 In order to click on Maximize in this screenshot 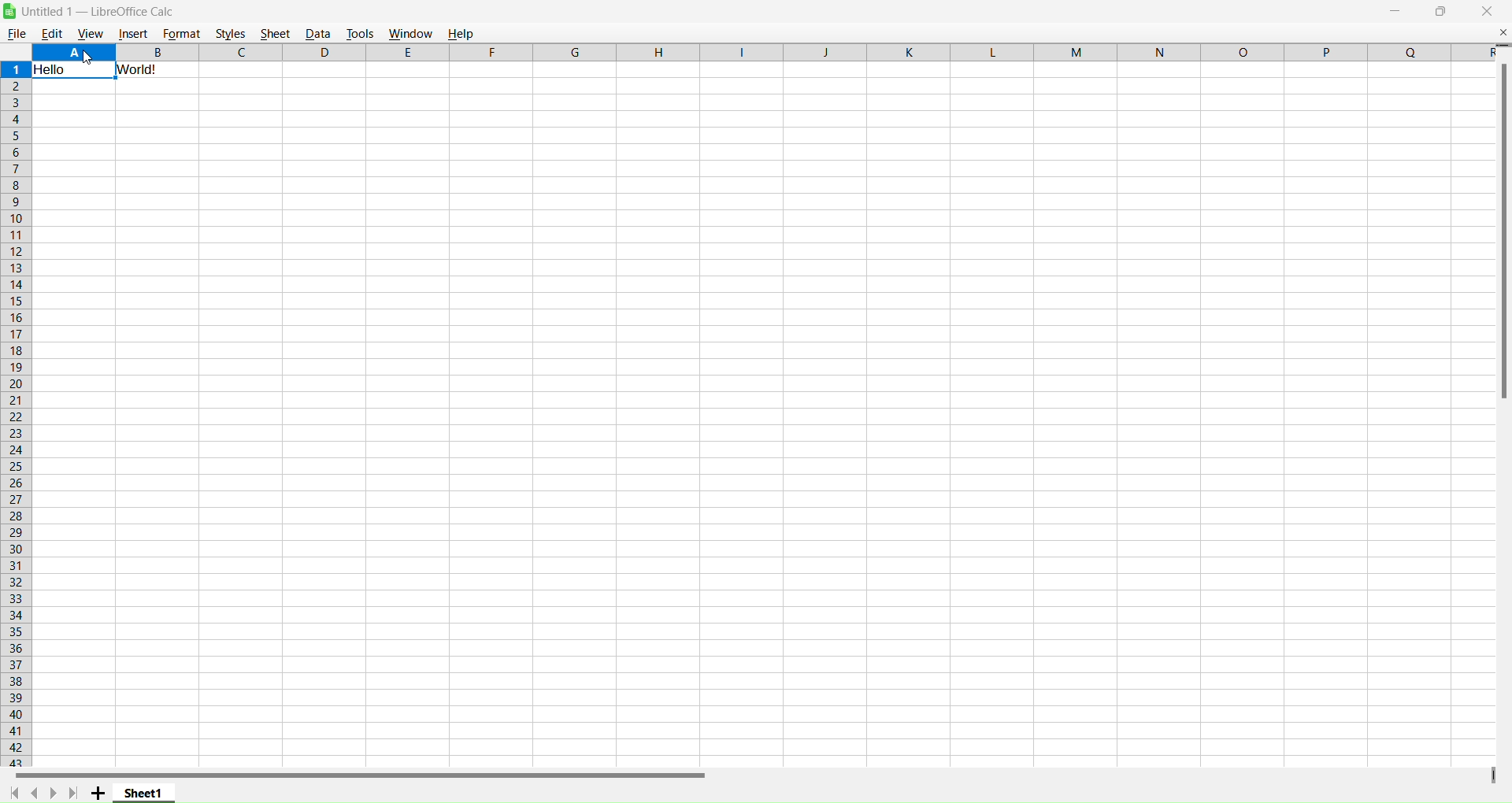, I will do `click(1442, 12)`.